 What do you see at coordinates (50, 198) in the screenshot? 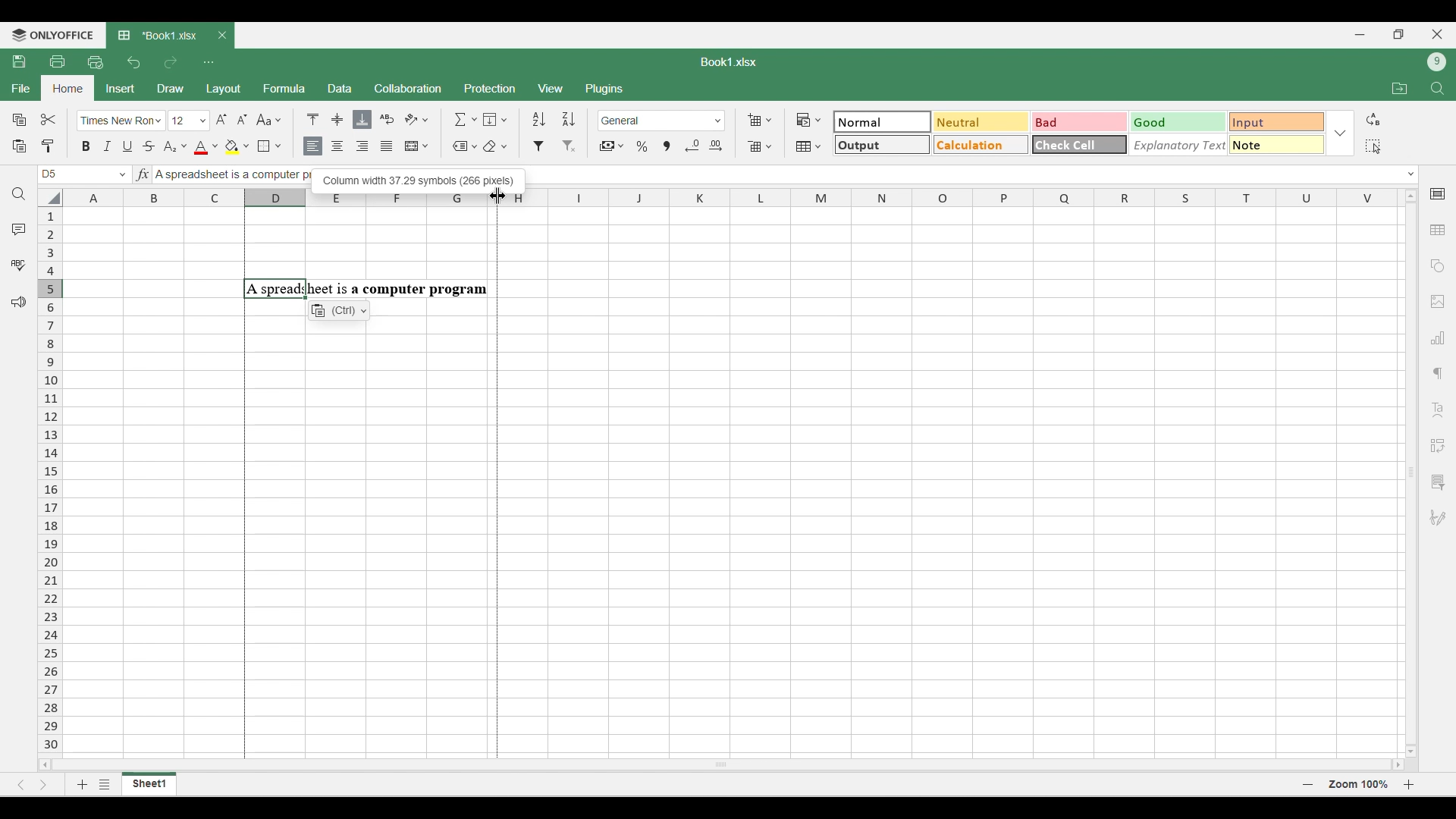
I see `Select all column and rows` at bounding box center [50, 198].